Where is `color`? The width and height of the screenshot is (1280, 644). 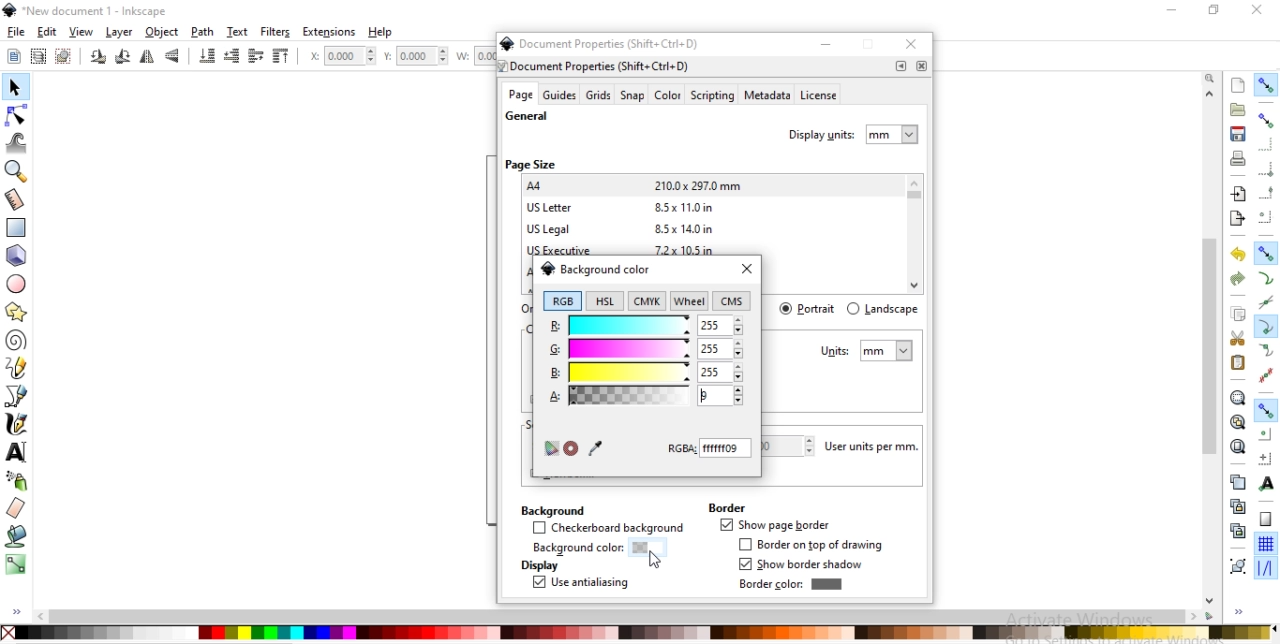 color is located at coordinates (667, 97).